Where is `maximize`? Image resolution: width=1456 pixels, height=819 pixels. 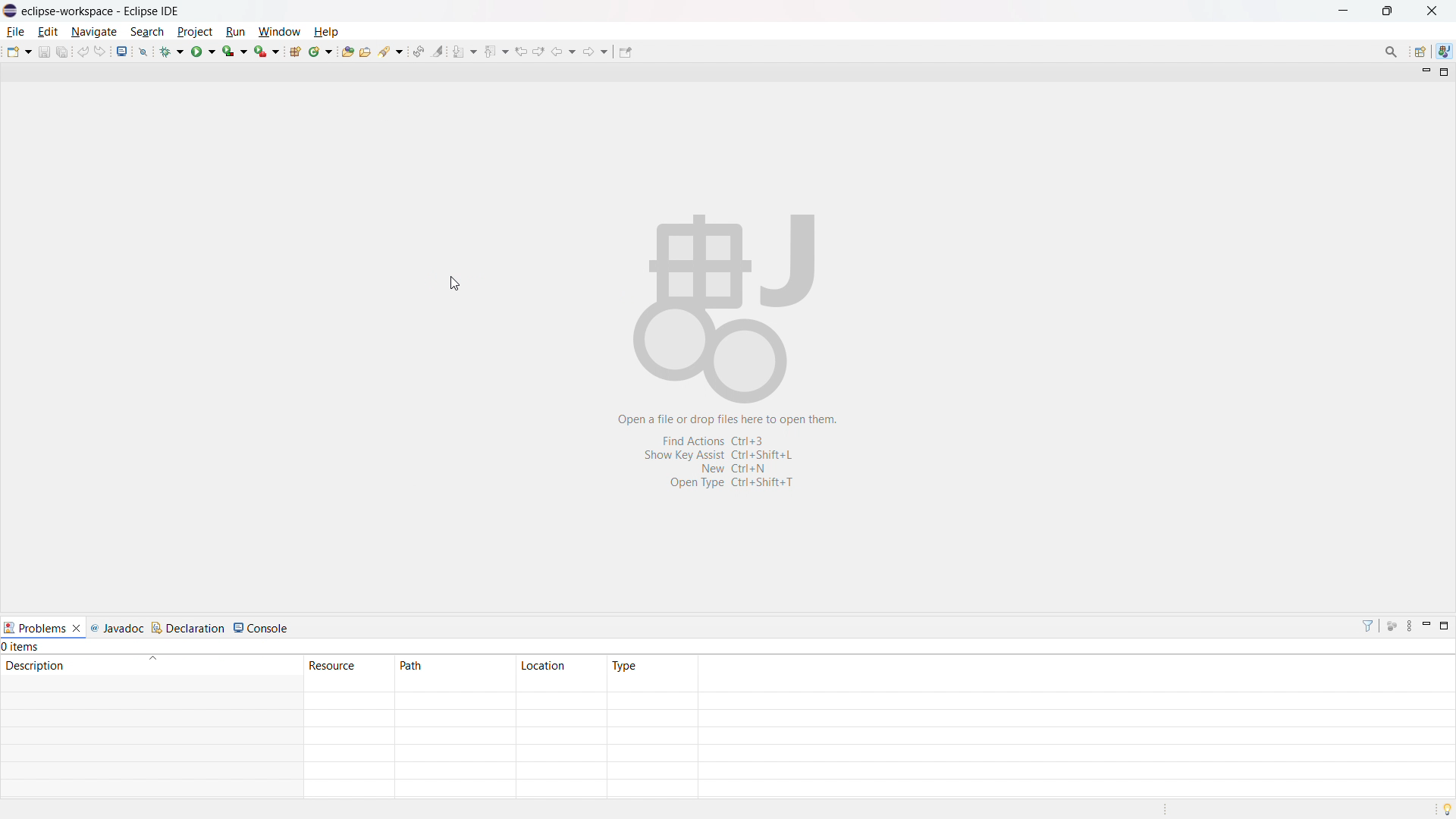
maximize is located at coordinates (1386, 11).